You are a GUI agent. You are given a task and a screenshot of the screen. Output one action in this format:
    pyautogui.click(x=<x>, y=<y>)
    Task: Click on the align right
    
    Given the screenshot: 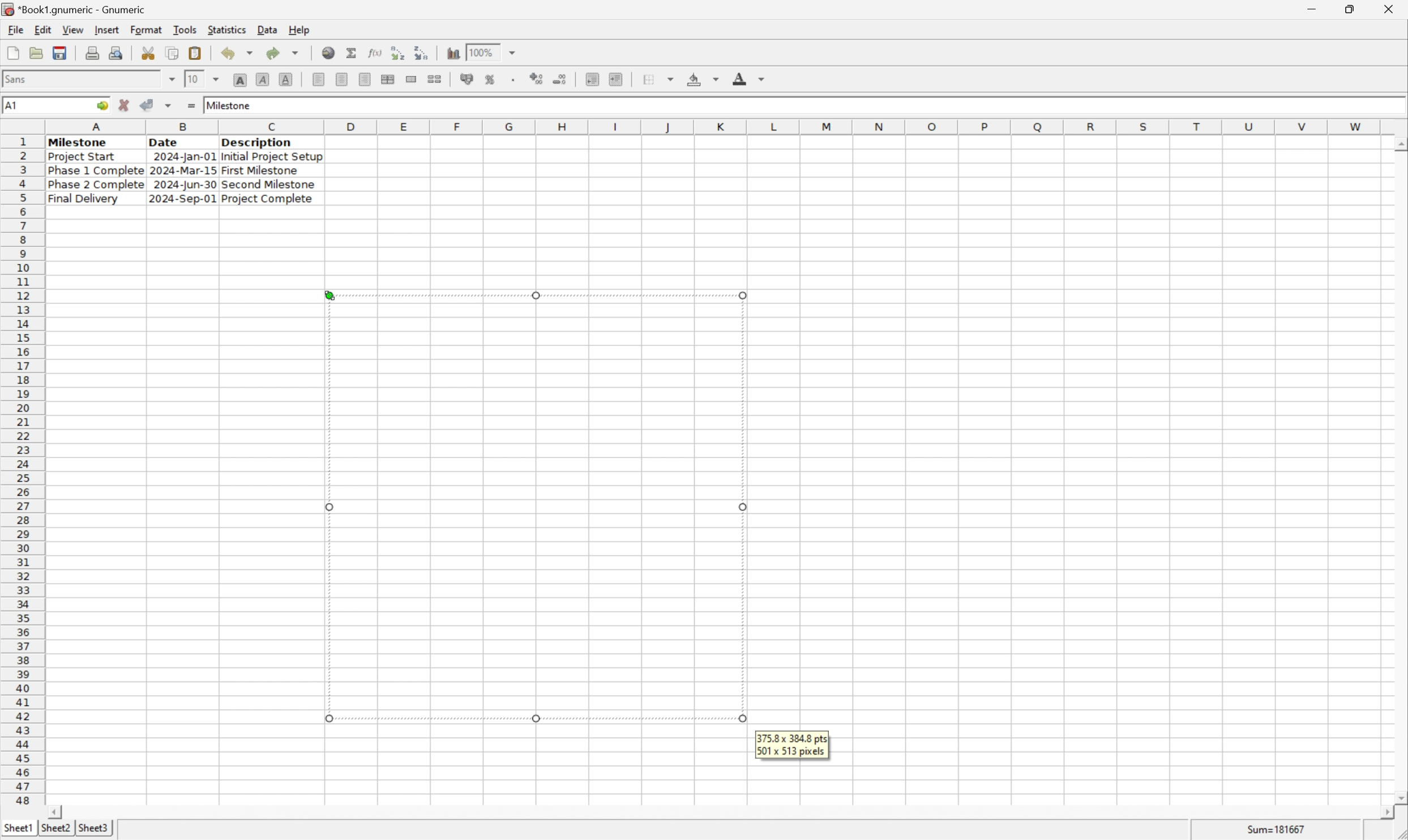 What is the action you would take?
    pyautogui.click(x=363, y=80)
    